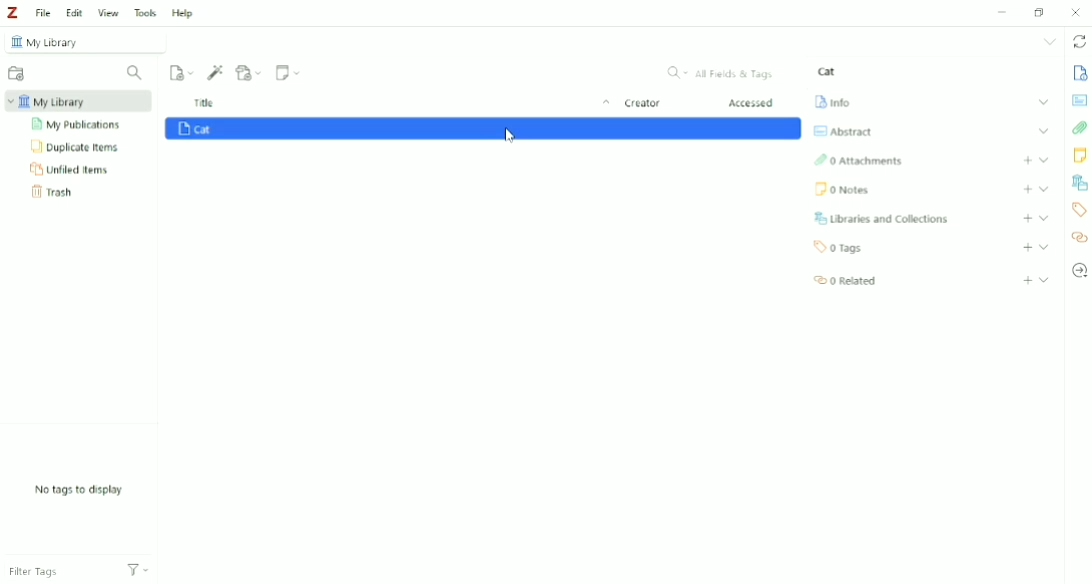  I want to click on Title, so click(404, 104).